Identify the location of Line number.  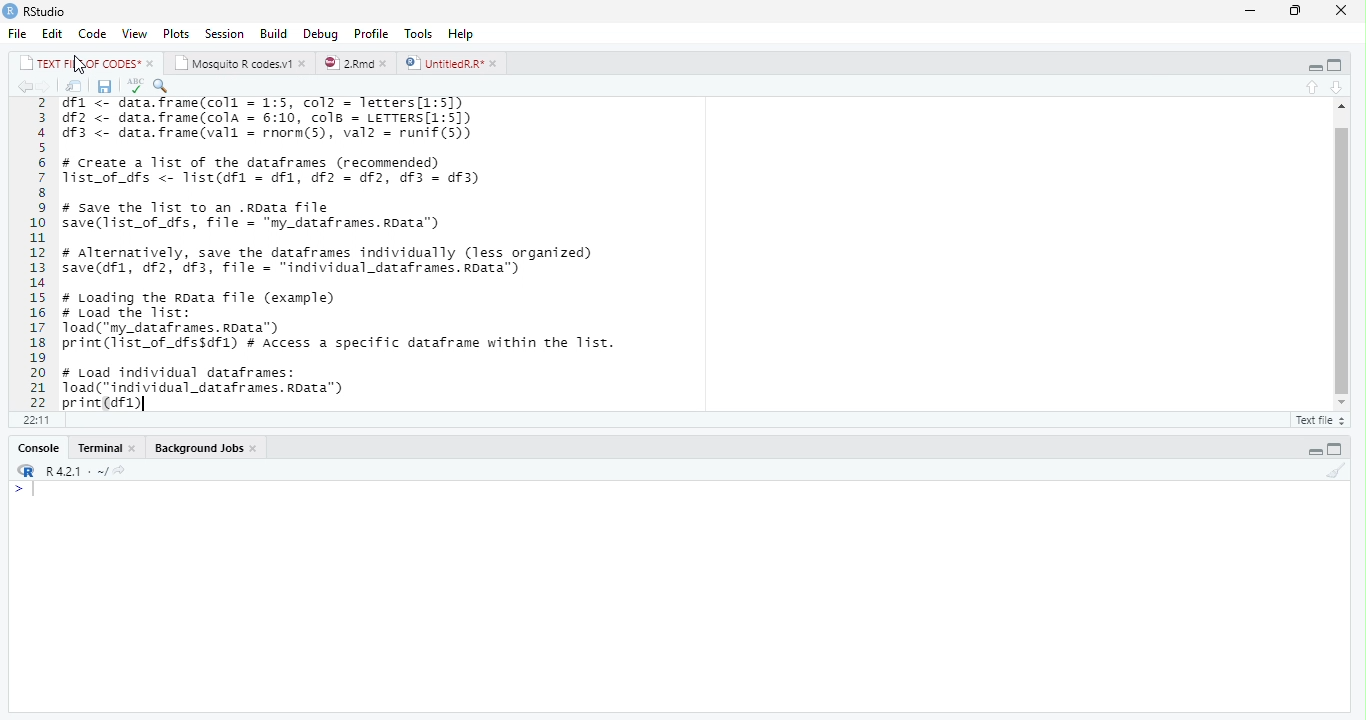
(35, 253).